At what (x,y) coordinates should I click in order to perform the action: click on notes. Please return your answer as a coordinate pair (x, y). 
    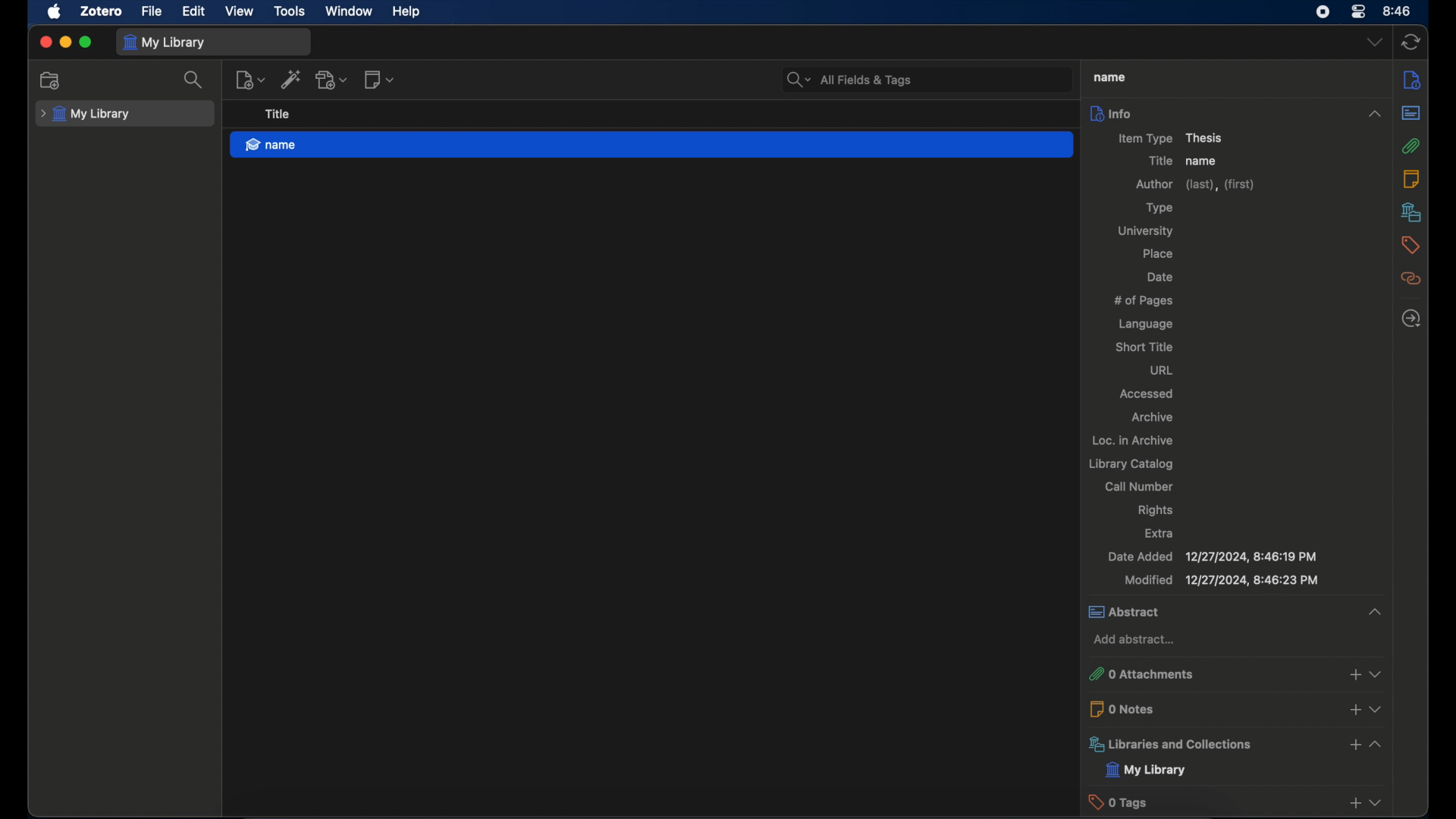
    Looking at the image, I should click on (1414, 178).